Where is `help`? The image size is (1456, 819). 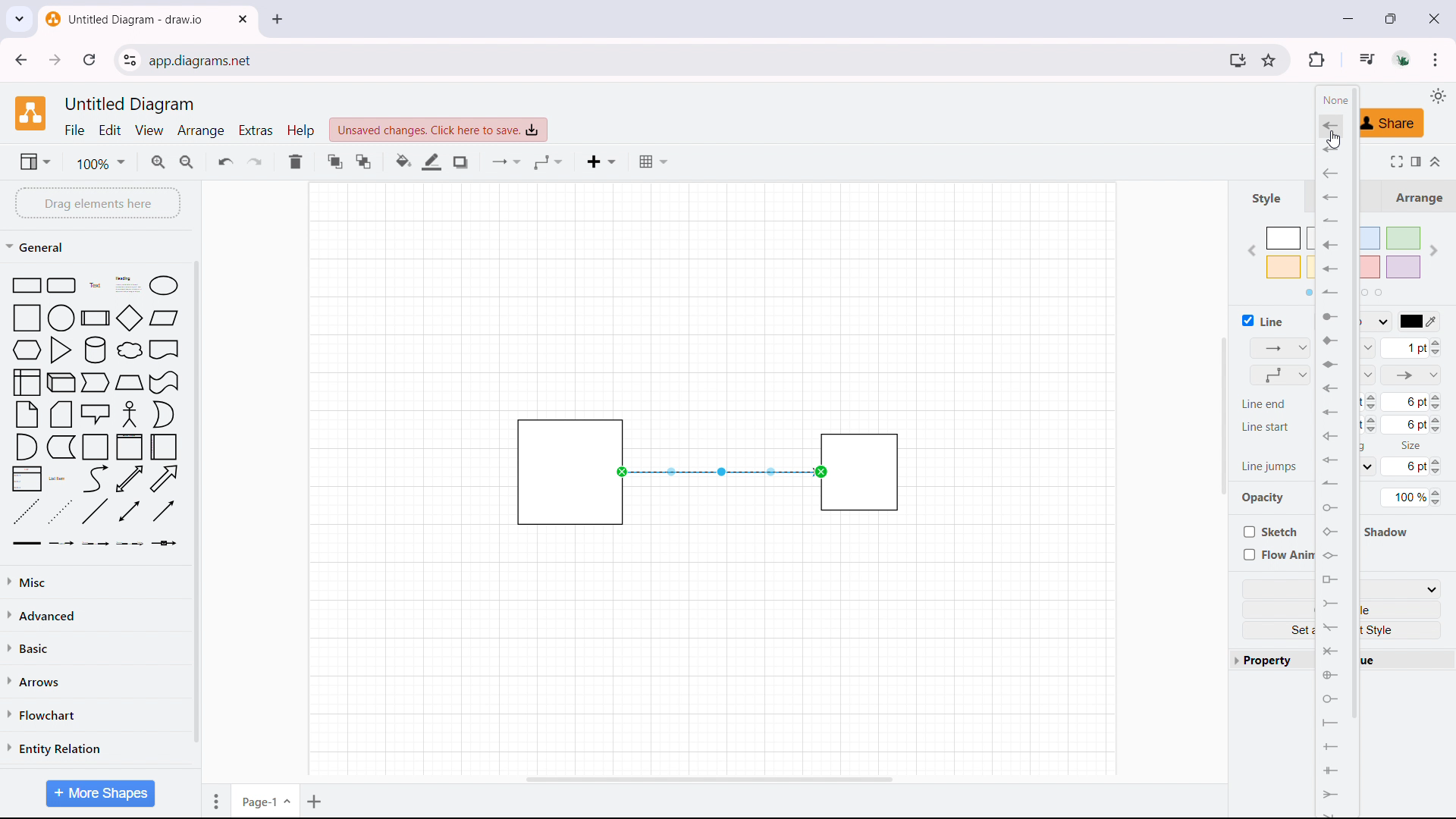
help is located at coordinates (300, 130).